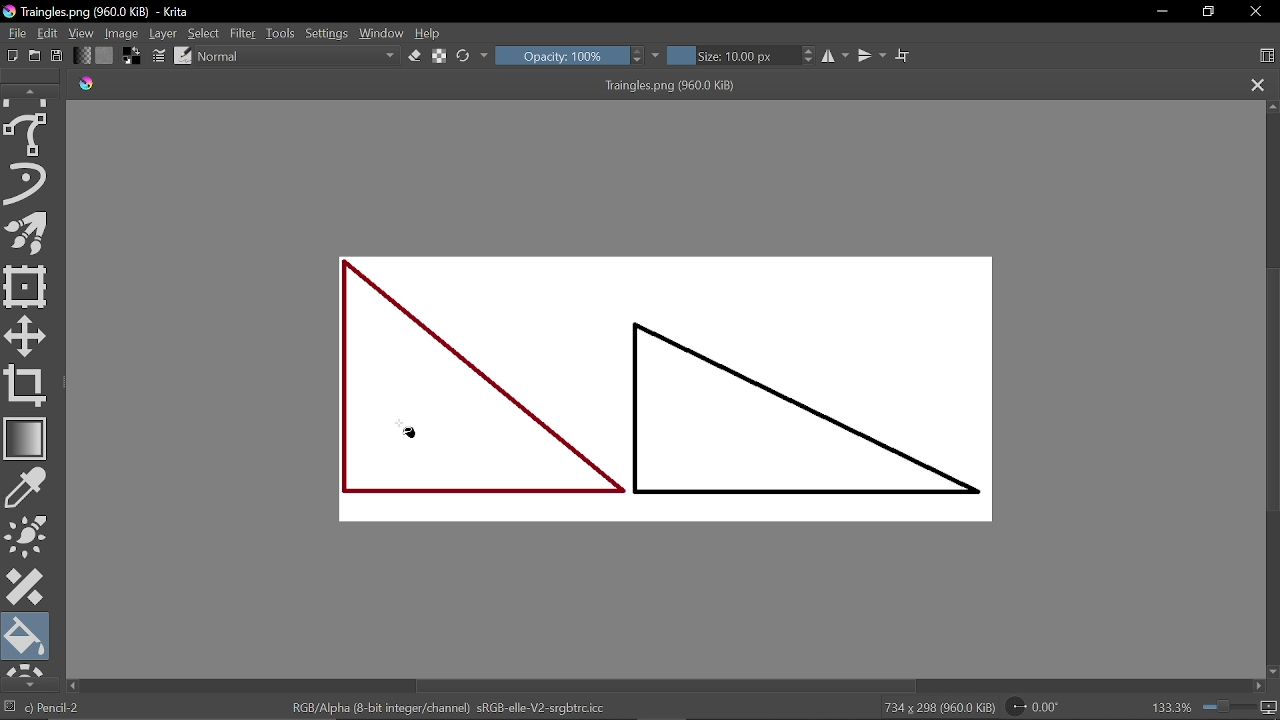 This screenshot has height=720, width=1280. Describe the element at coordinates (133, 57) in the screenshot. I see `Foreground and background color` at that location.